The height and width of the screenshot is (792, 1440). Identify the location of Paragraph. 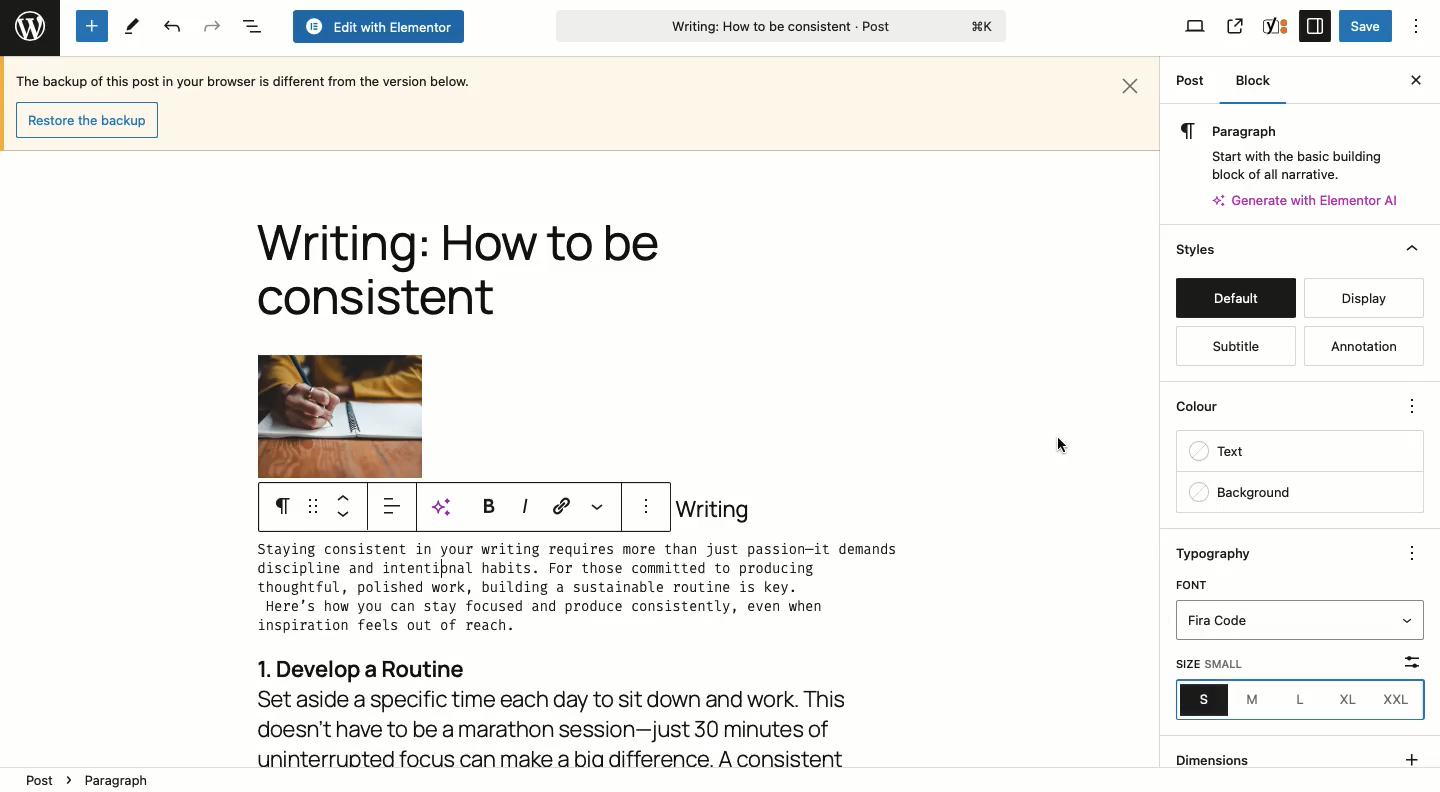
(123, 778).